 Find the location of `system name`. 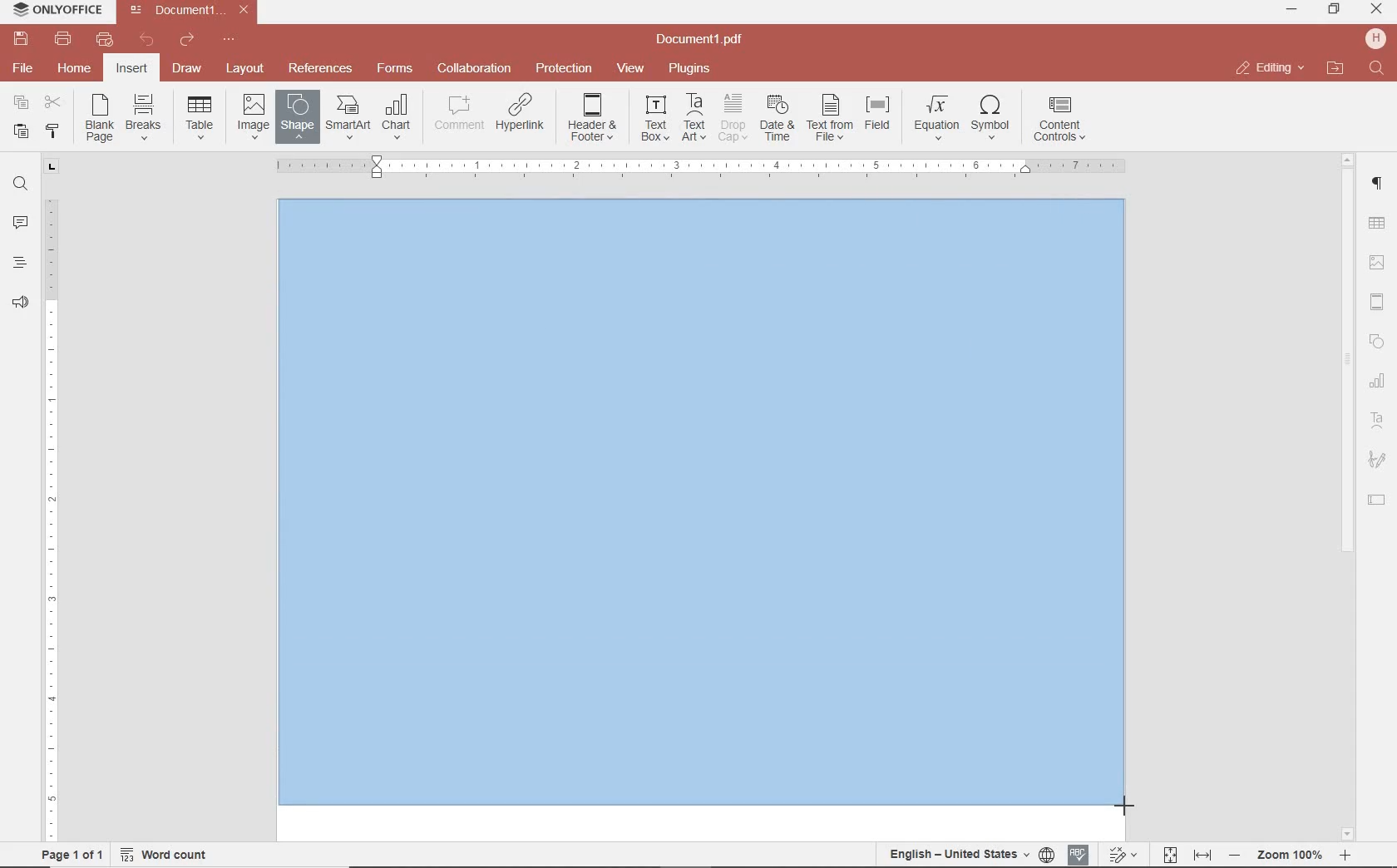

system name is located at coordinates (53, 11).